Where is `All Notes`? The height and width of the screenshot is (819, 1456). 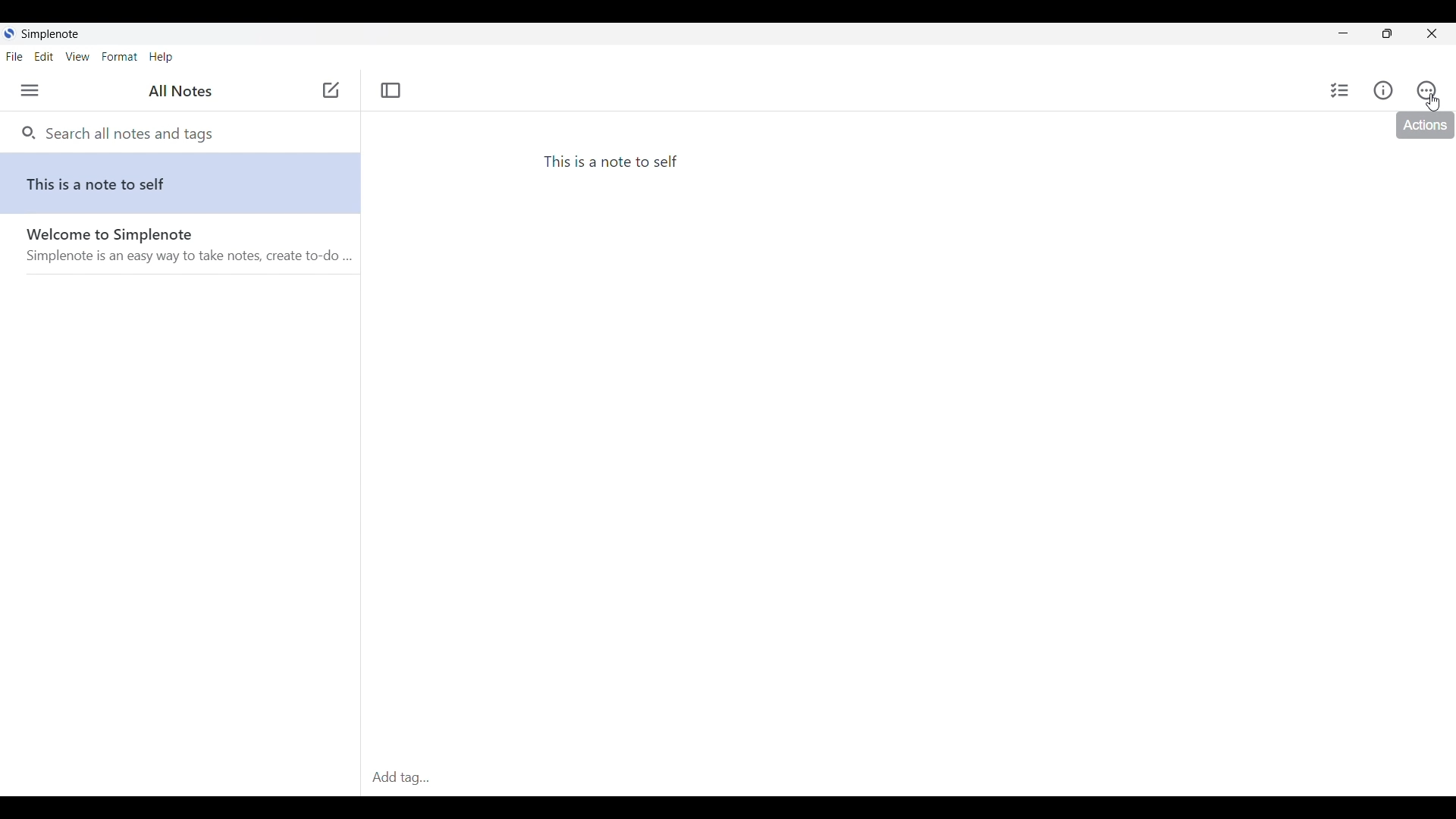 All Notes is located at coordinates (177, 92).